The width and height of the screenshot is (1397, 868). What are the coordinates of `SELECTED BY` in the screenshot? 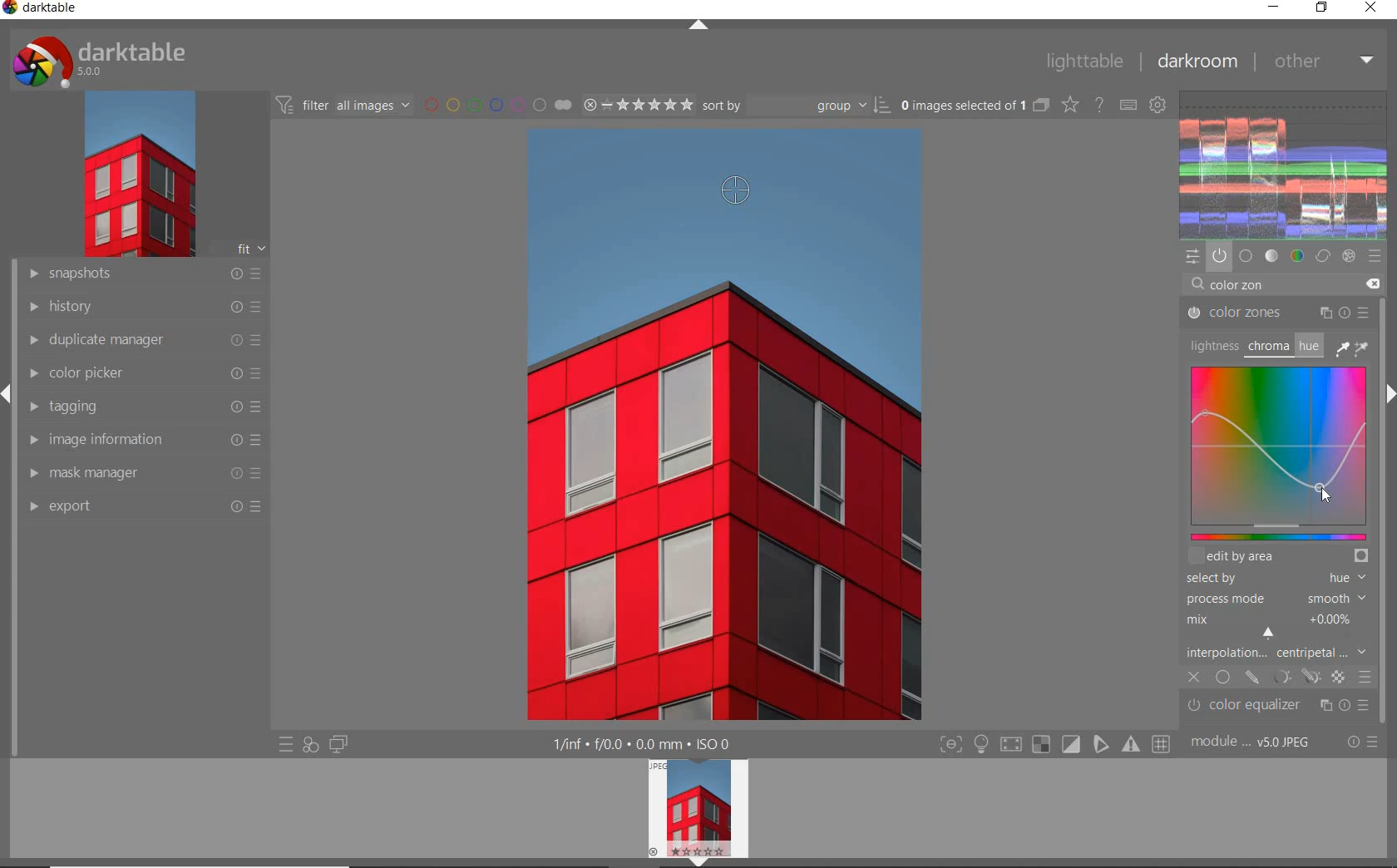 It's located at (1271, 579).